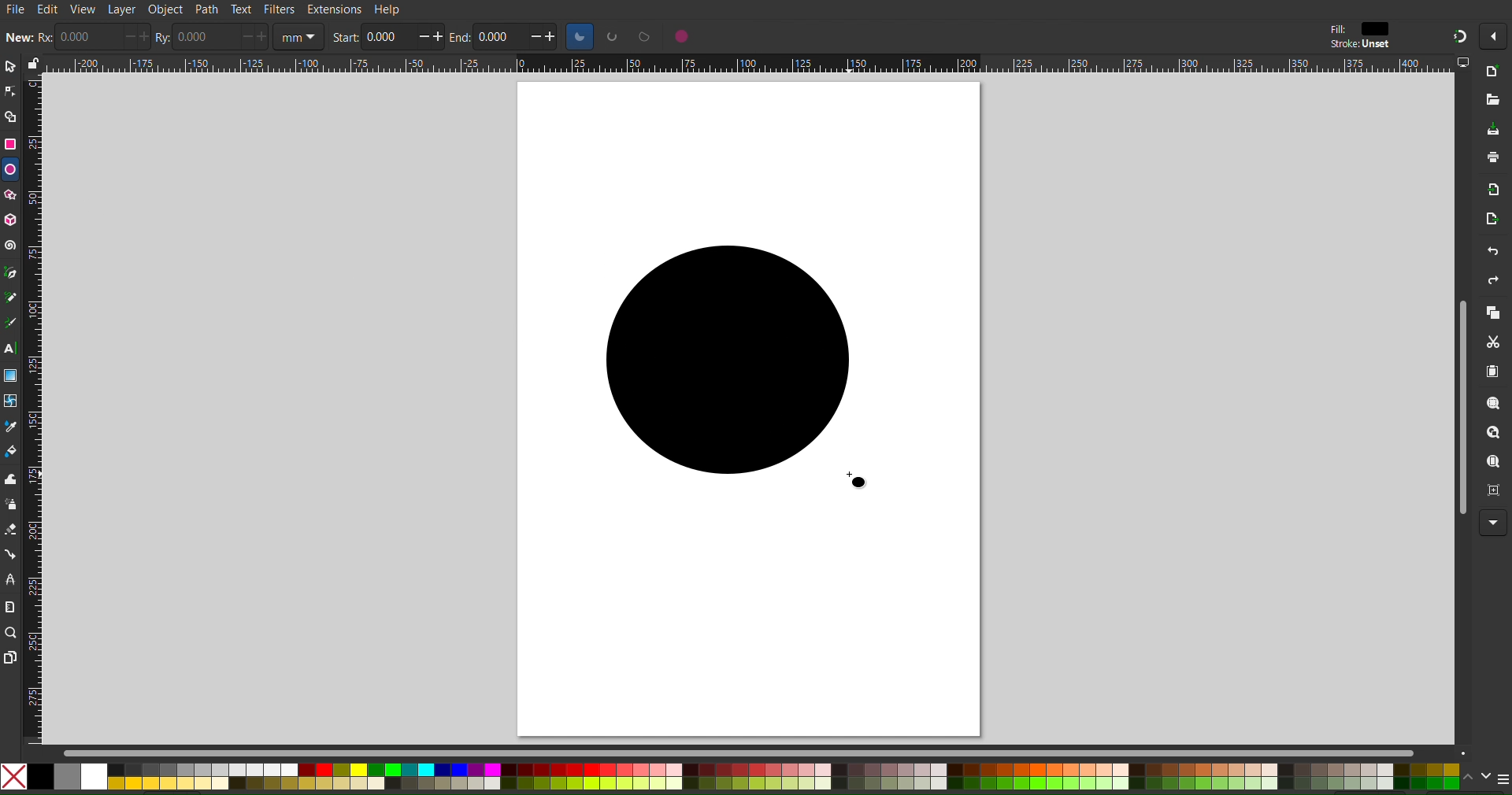  What do you see at coordinates (343, 39) in the screenshot?
I see `start` at bounding box center [343, 39].